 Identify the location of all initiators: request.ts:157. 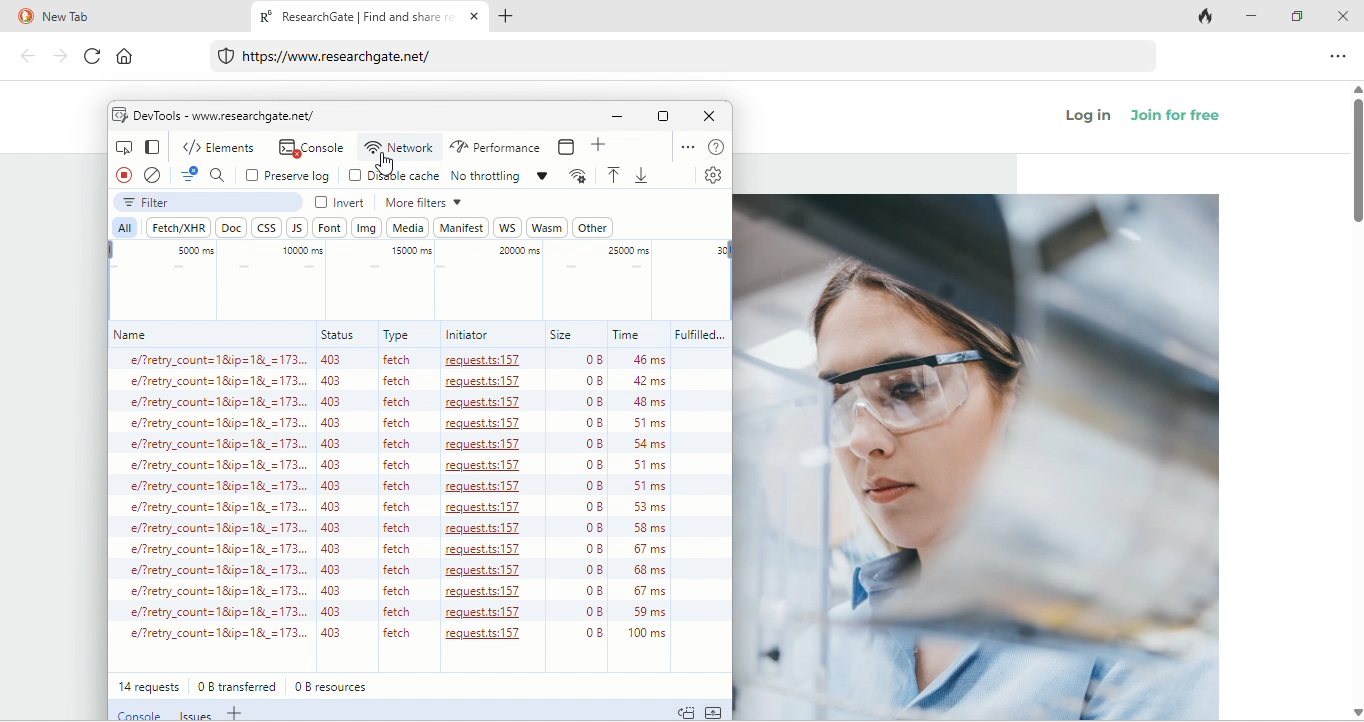
(487, 513).